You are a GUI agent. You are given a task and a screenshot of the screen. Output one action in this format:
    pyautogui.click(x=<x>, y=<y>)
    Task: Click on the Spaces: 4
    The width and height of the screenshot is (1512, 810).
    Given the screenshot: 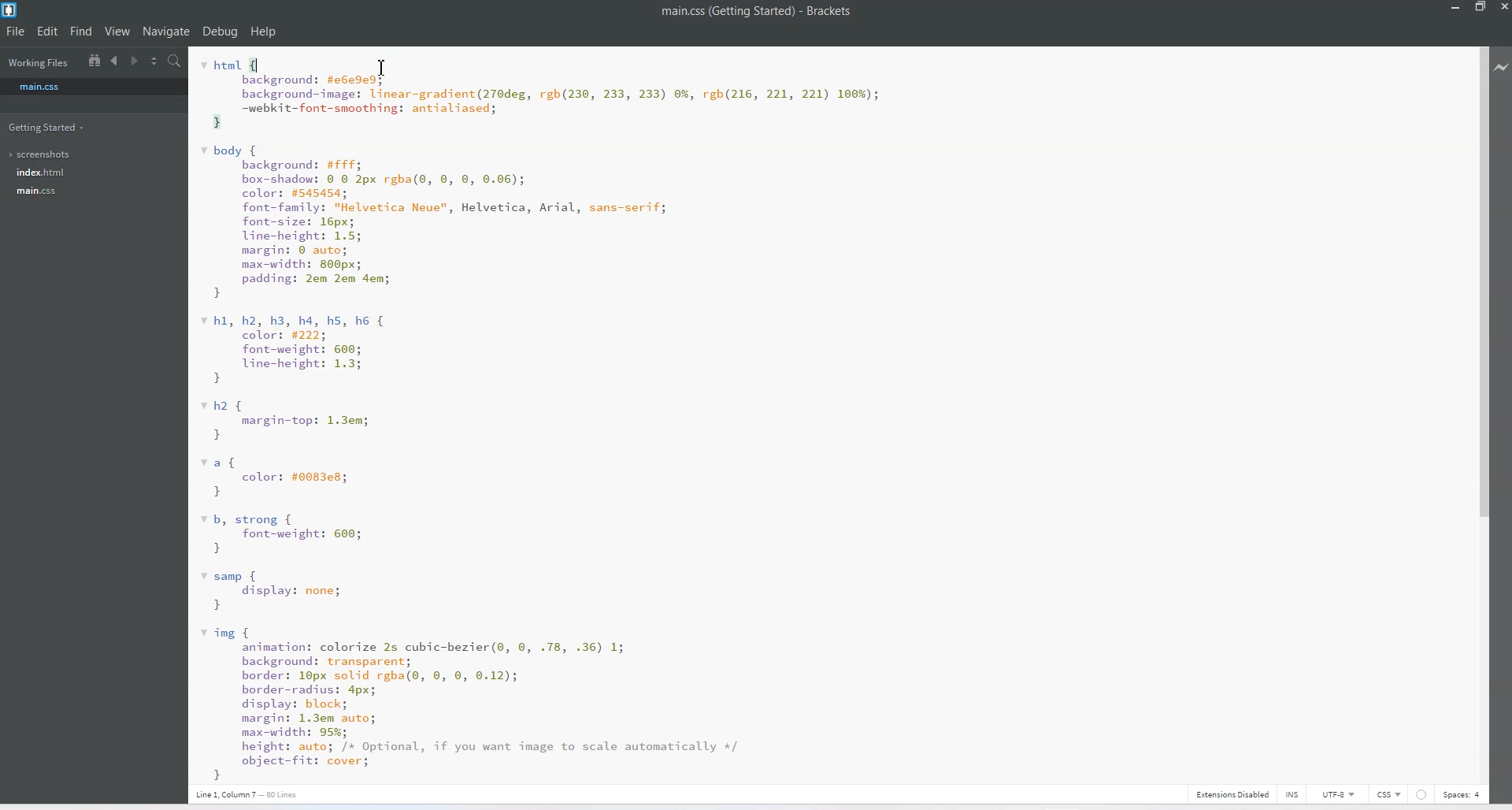 What is the action you would take?
    pyautogui.click(x=1462, y=794)
    